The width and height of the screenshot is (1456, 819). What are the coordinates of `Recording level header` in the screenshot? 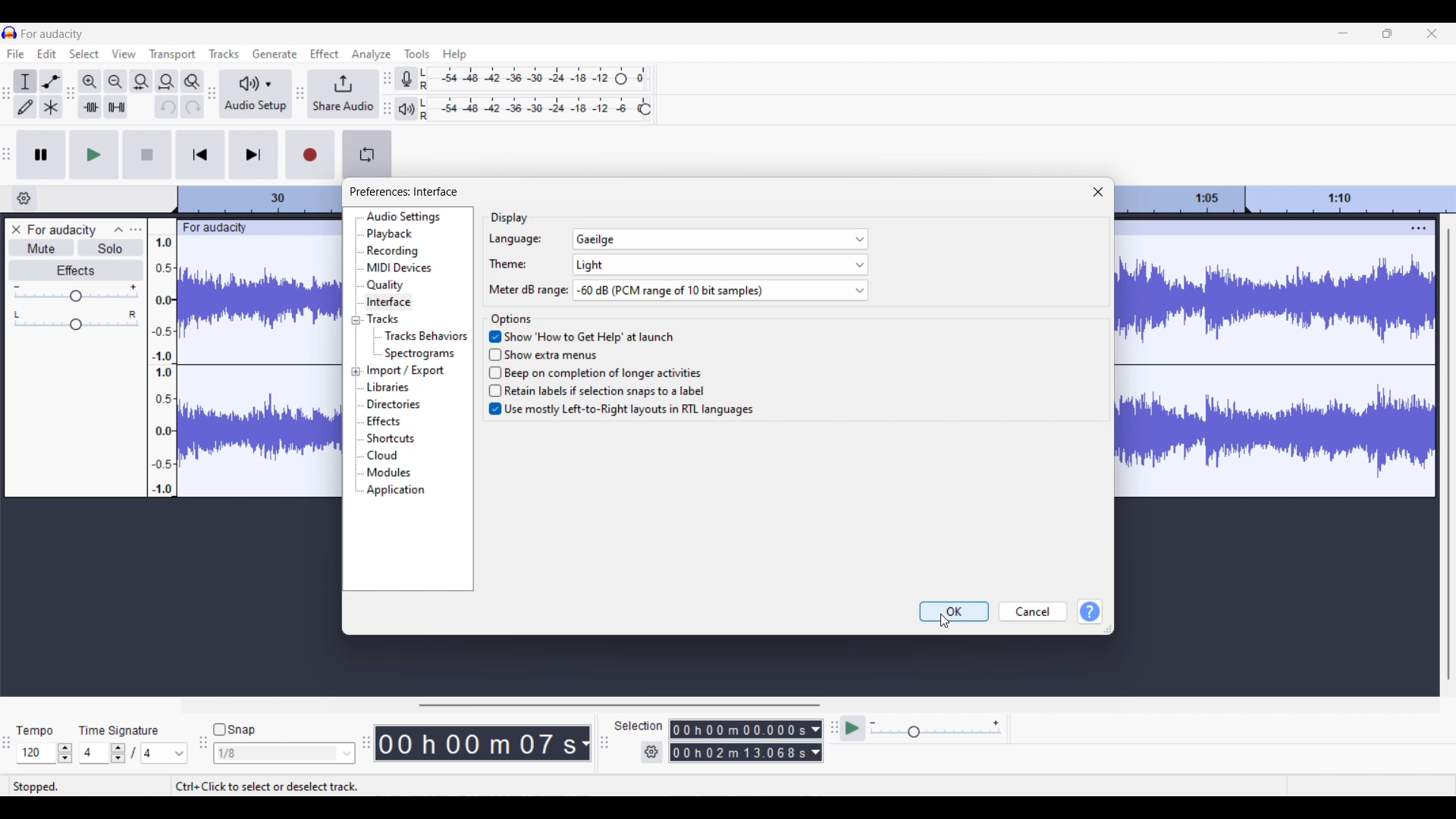 It's located at (621, 79).